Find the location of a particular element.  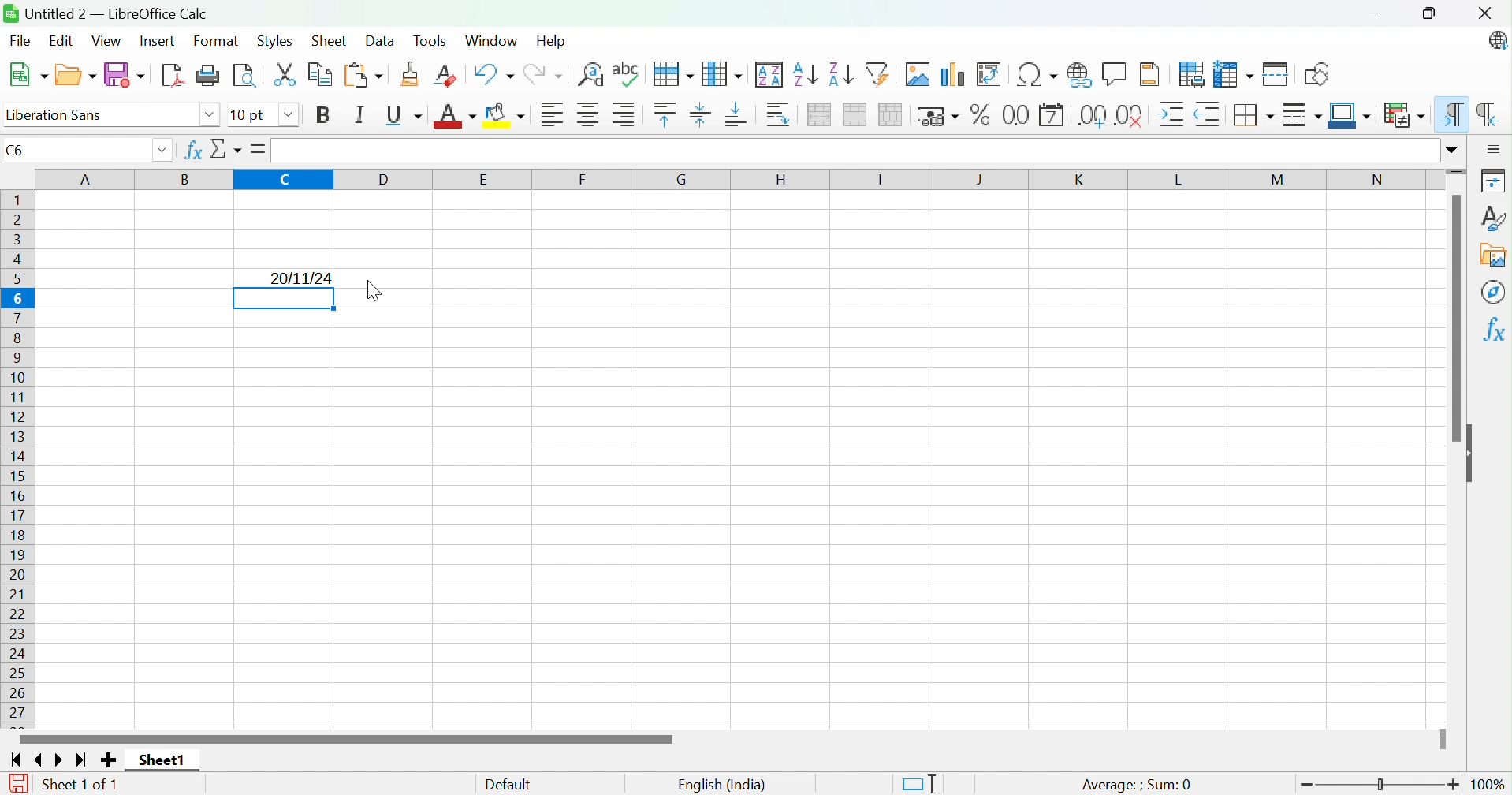

Scroll to first sheet is located at coordinates (17, 760).